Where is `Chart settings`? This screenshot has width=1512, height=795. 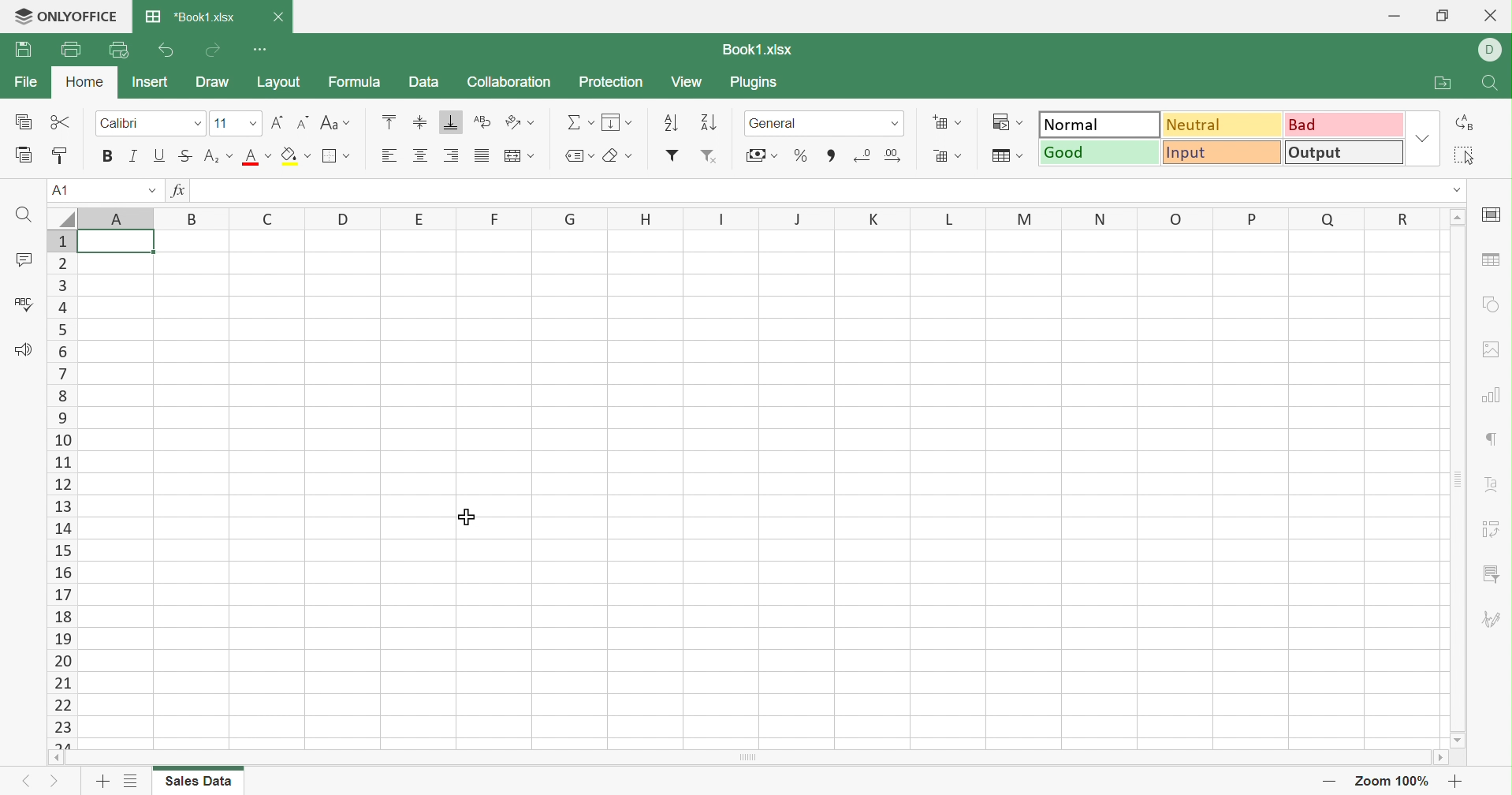
Chart settings is located at coordinates (1492, 397).